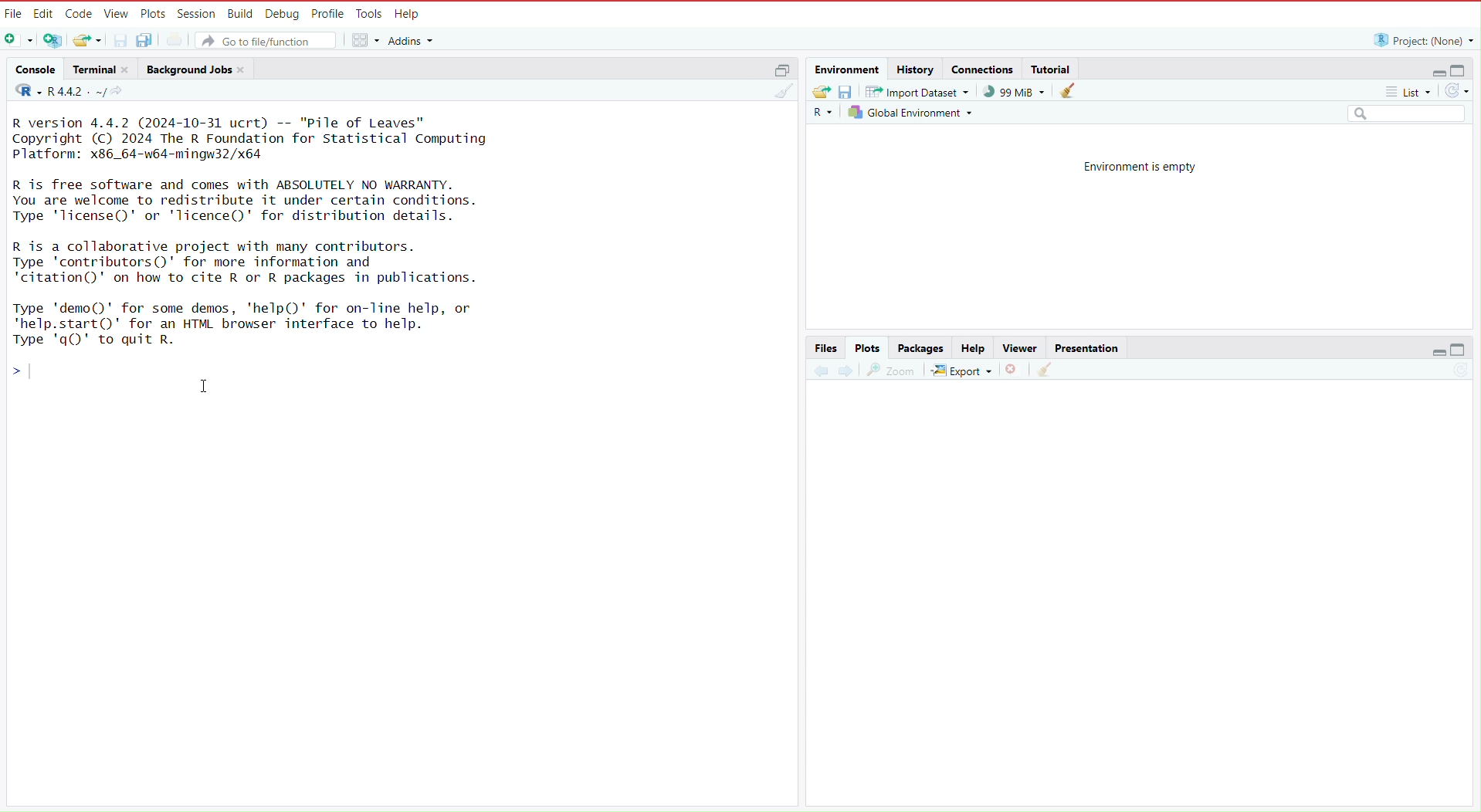 The image size is (1481, 812). What do you see at coordinates (1432, 354) in the screenshot?
I see `minimize` at bounding box center [1432, 354].